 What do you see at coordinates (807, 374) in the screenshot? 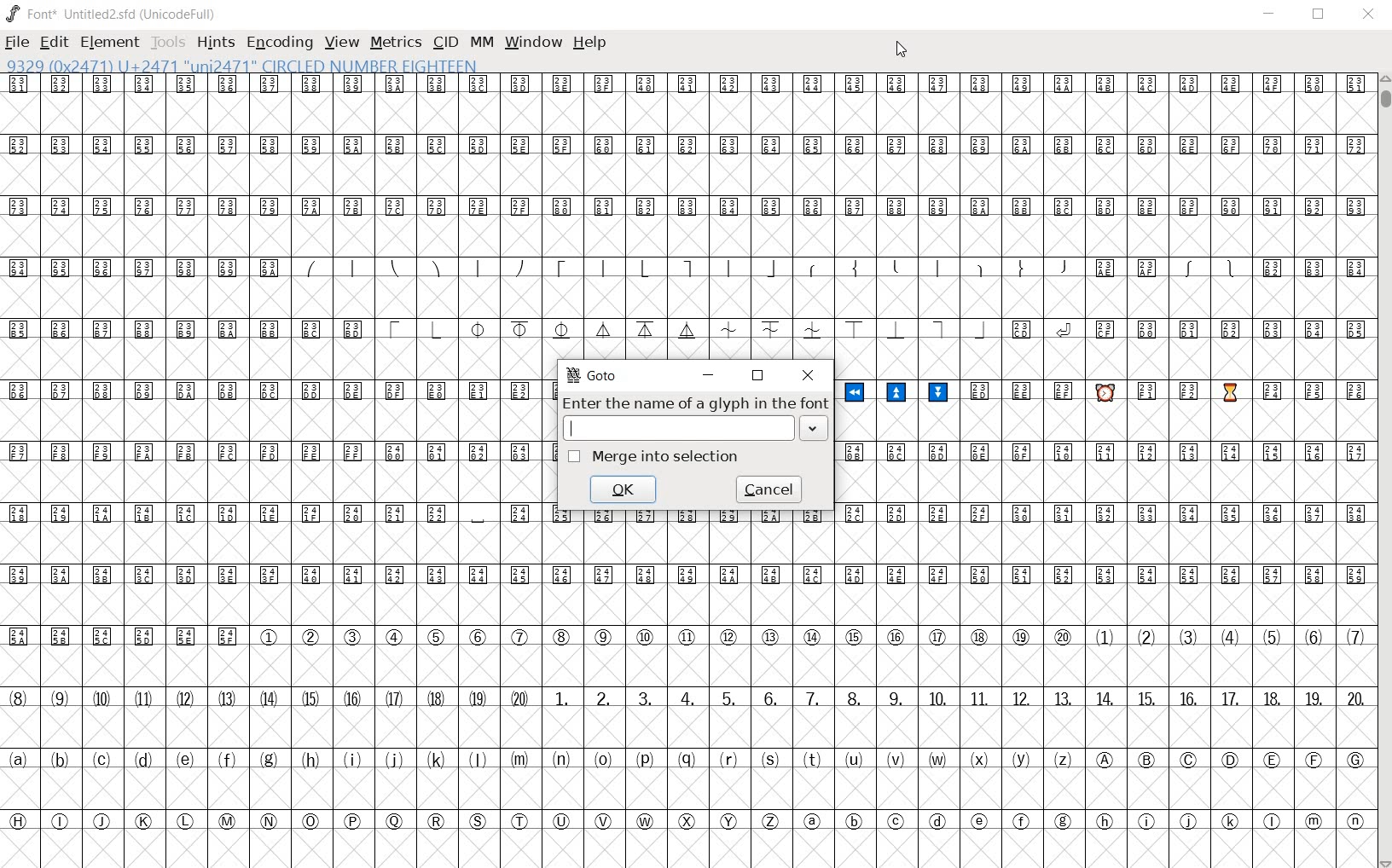
I see `close` at bounding box center [807, 374].